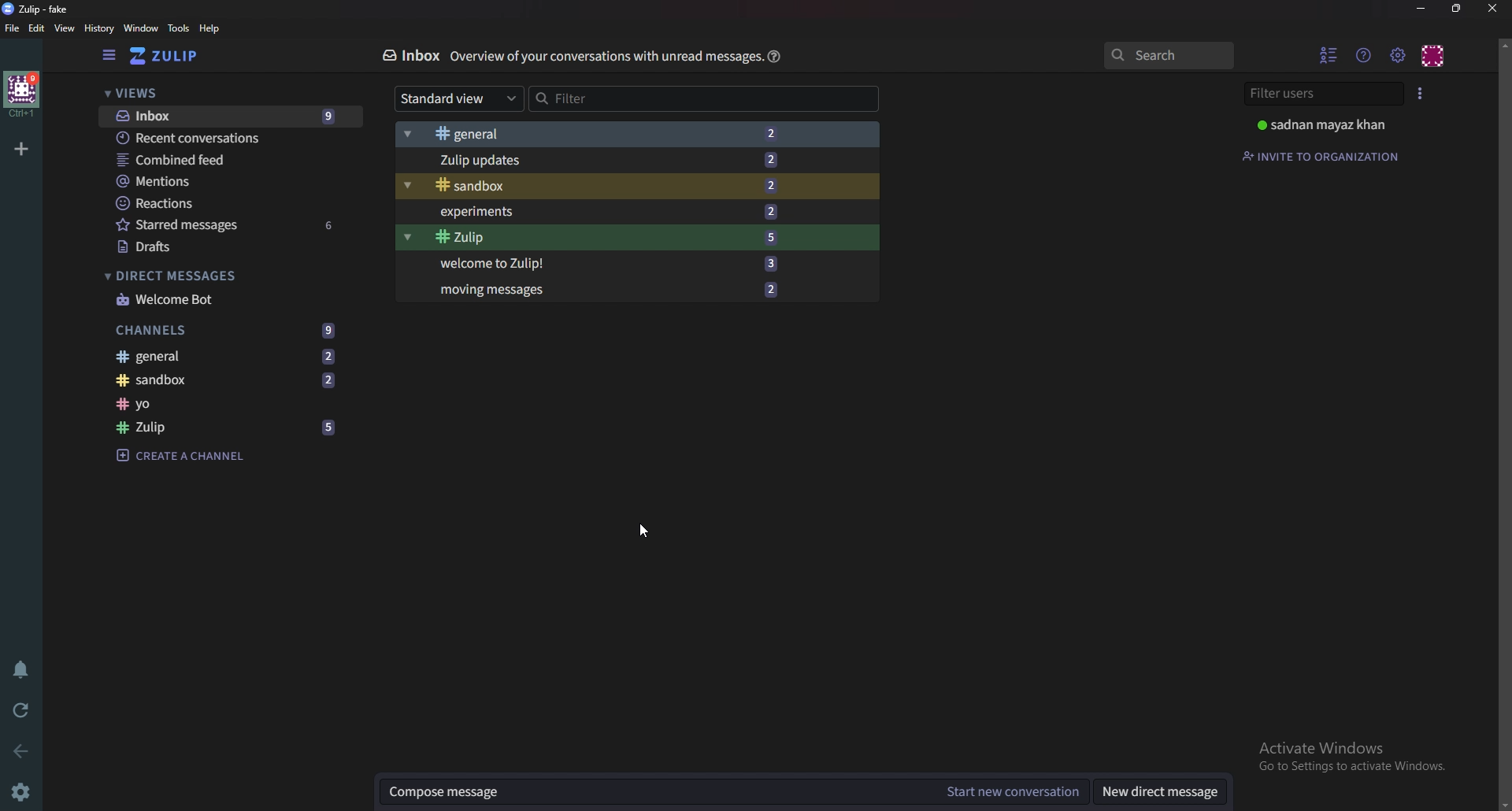 The image size is (1512, 811). Describe the element at coordinates (606, 57) in the screenshot. I see `Info` at that location.